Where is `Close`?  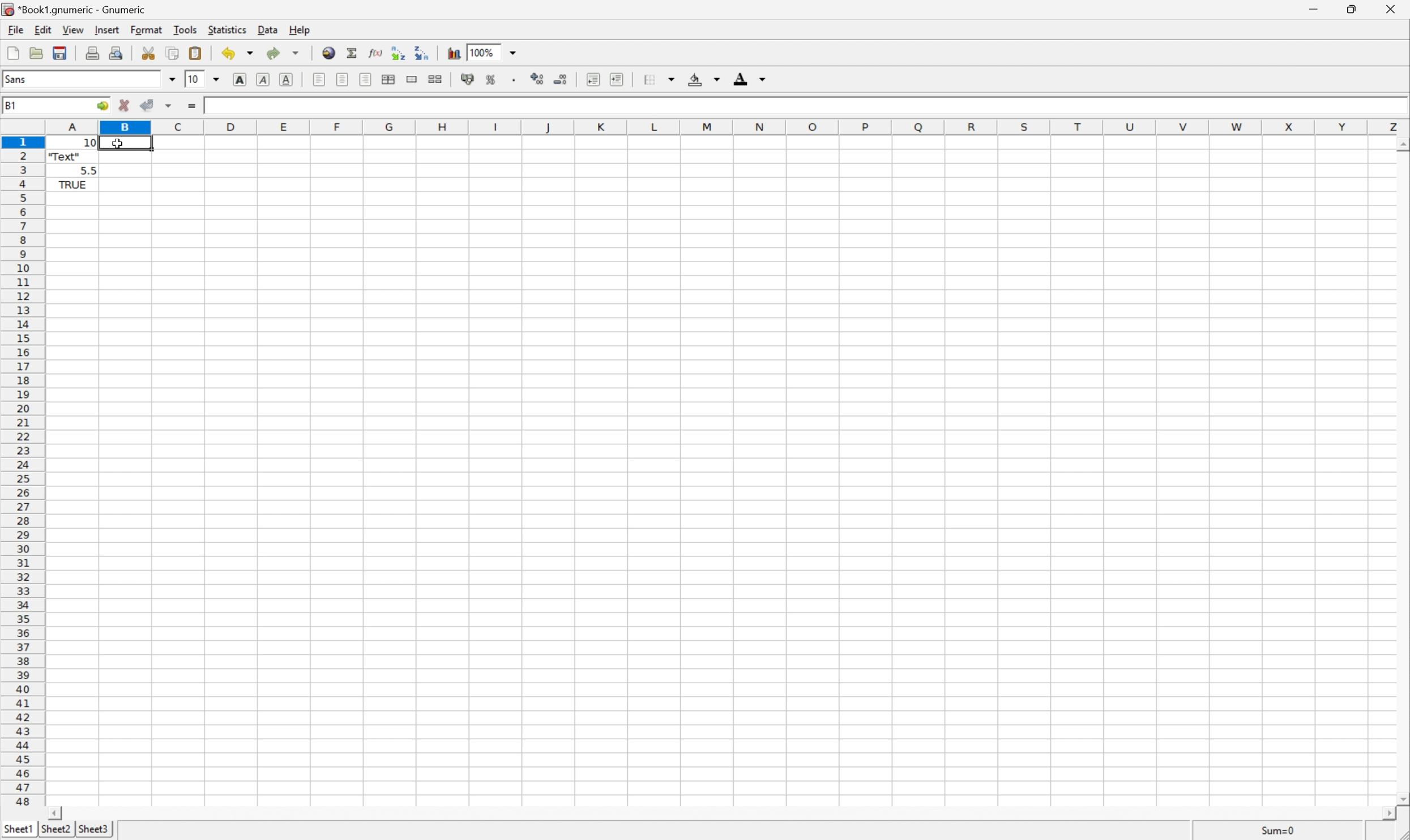 Close is located at coordinates (1392, 8).